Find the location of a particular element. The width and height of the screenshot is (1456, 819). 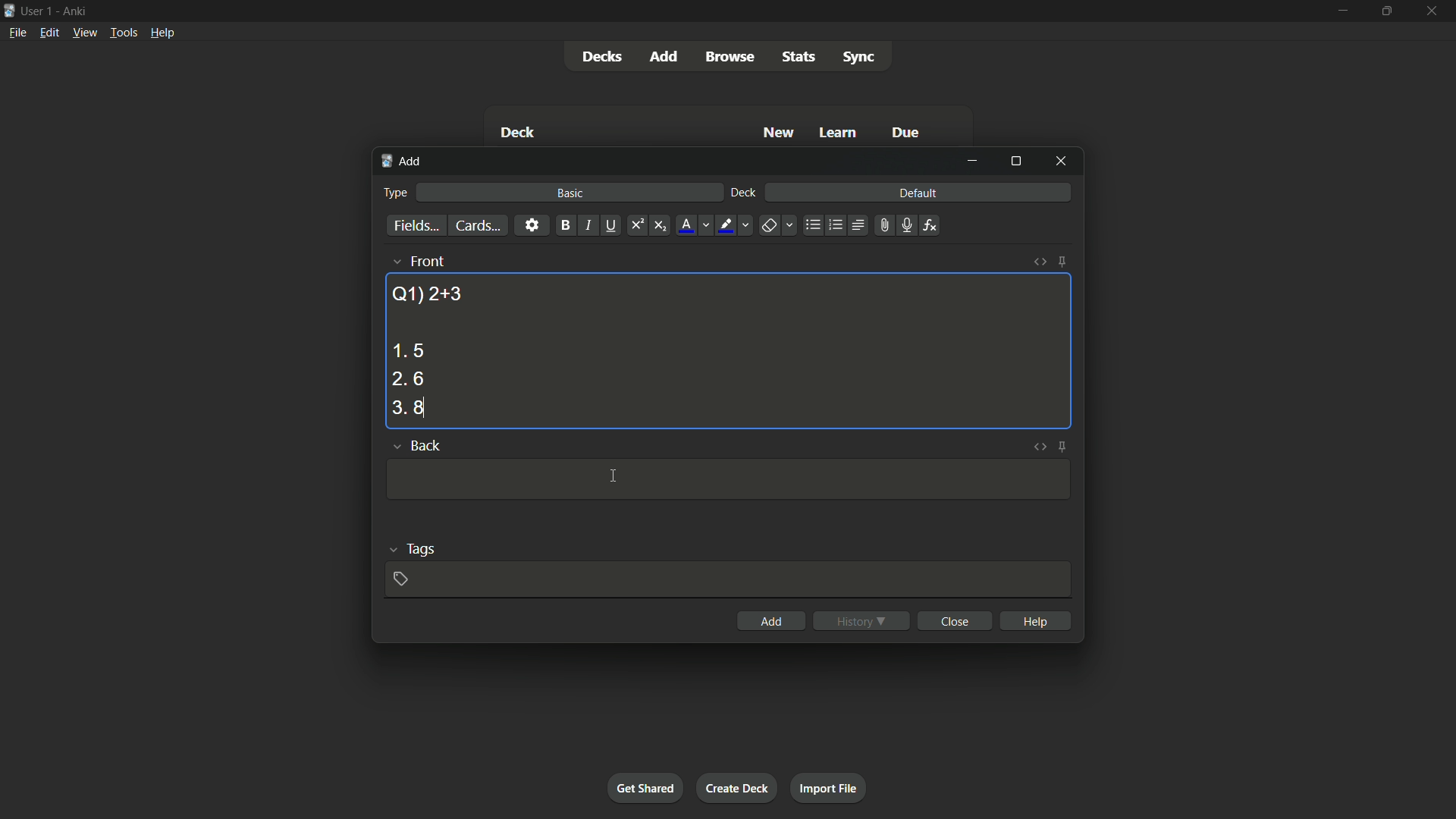

create deck is located at coordinates (736, 787).